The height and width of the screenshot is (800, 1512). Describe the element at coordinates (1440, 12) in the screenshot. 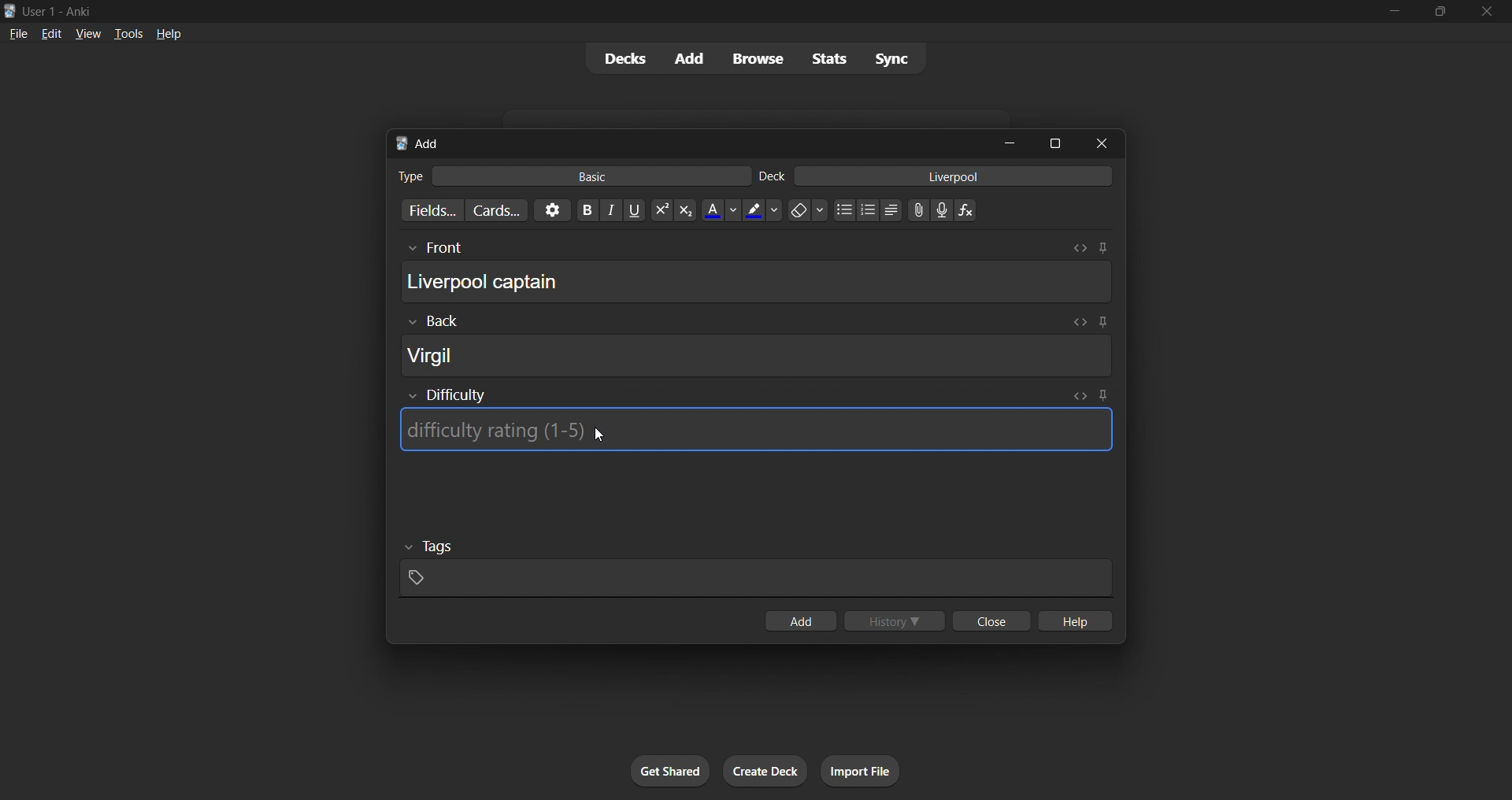

I see `maximize/restore` at that location.